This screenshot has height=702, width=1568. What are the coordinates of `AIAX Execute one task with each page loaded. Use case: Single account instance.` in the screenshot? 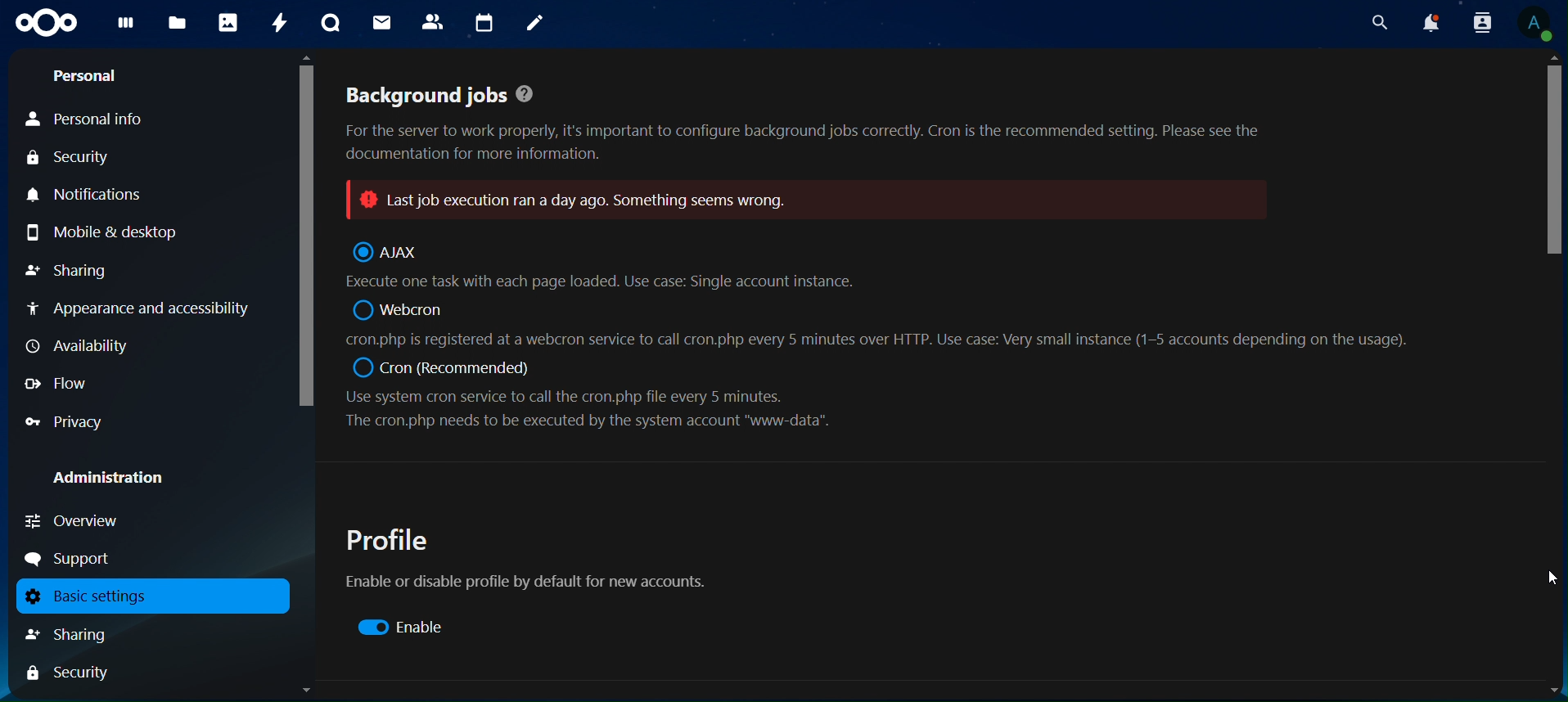 It's located at (615, 265).